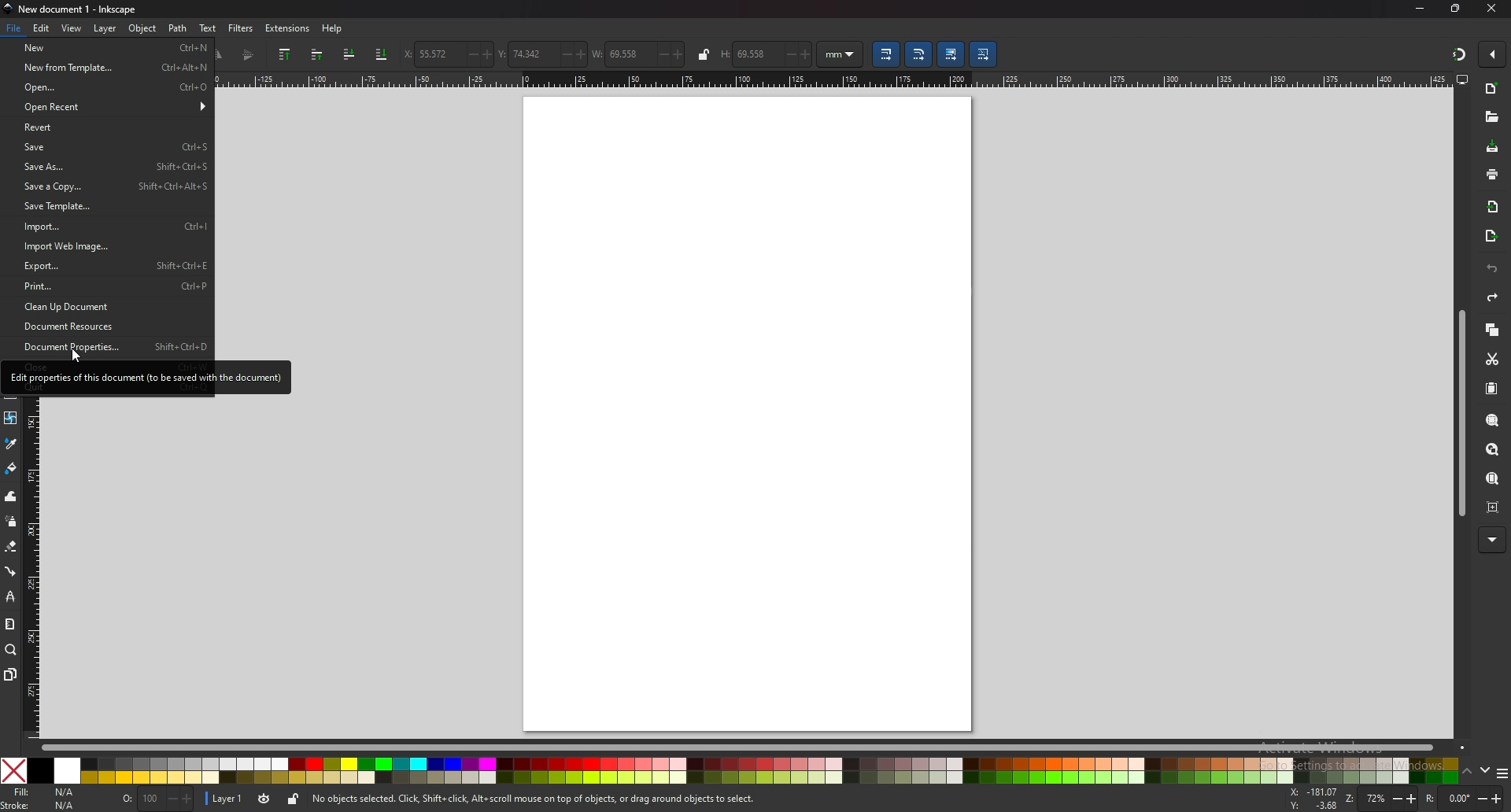  I want to click on File, so click(13, 28).